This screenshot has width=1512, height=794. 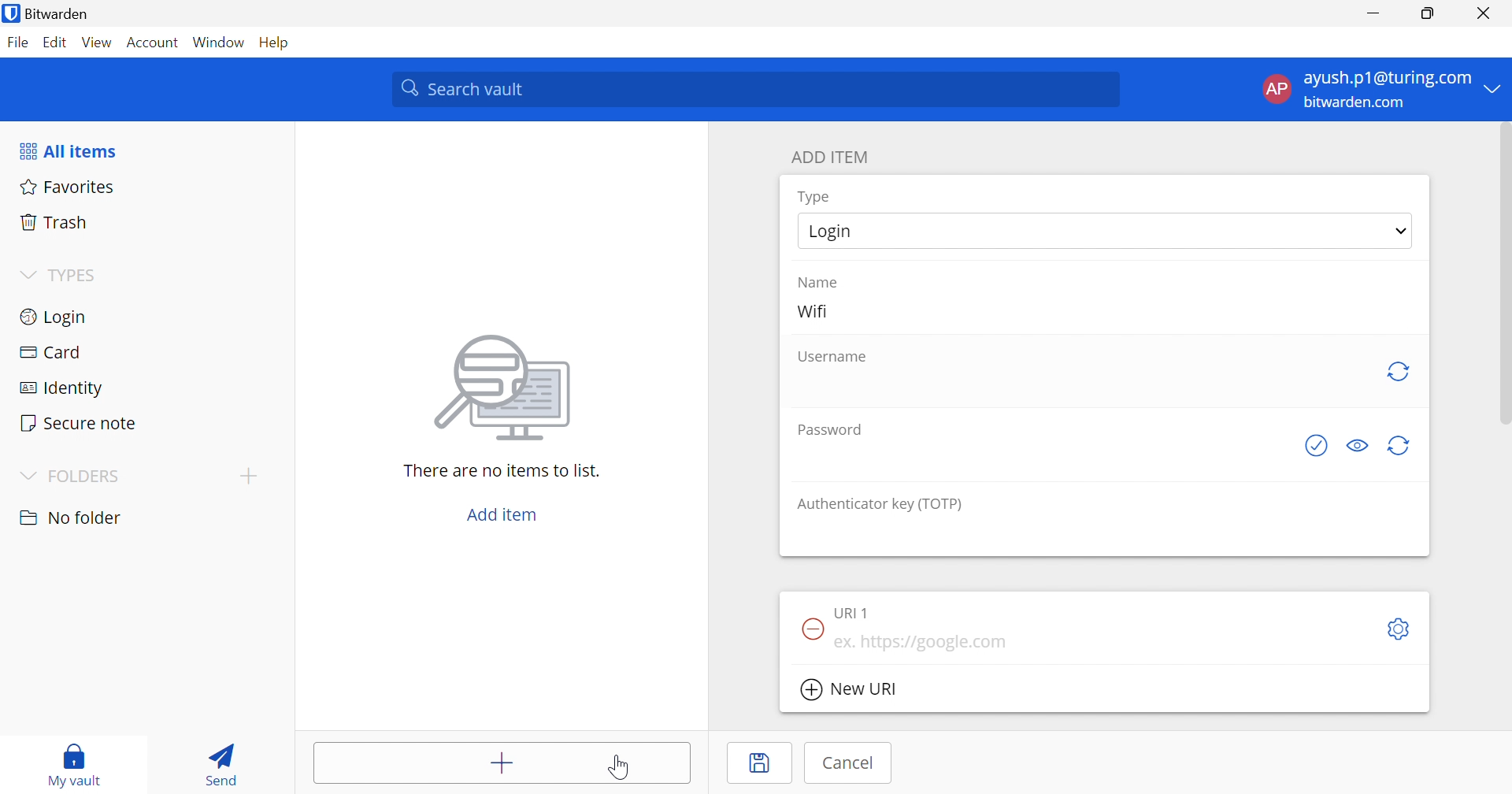 I want to click on Account, so click(x=154, y=46).